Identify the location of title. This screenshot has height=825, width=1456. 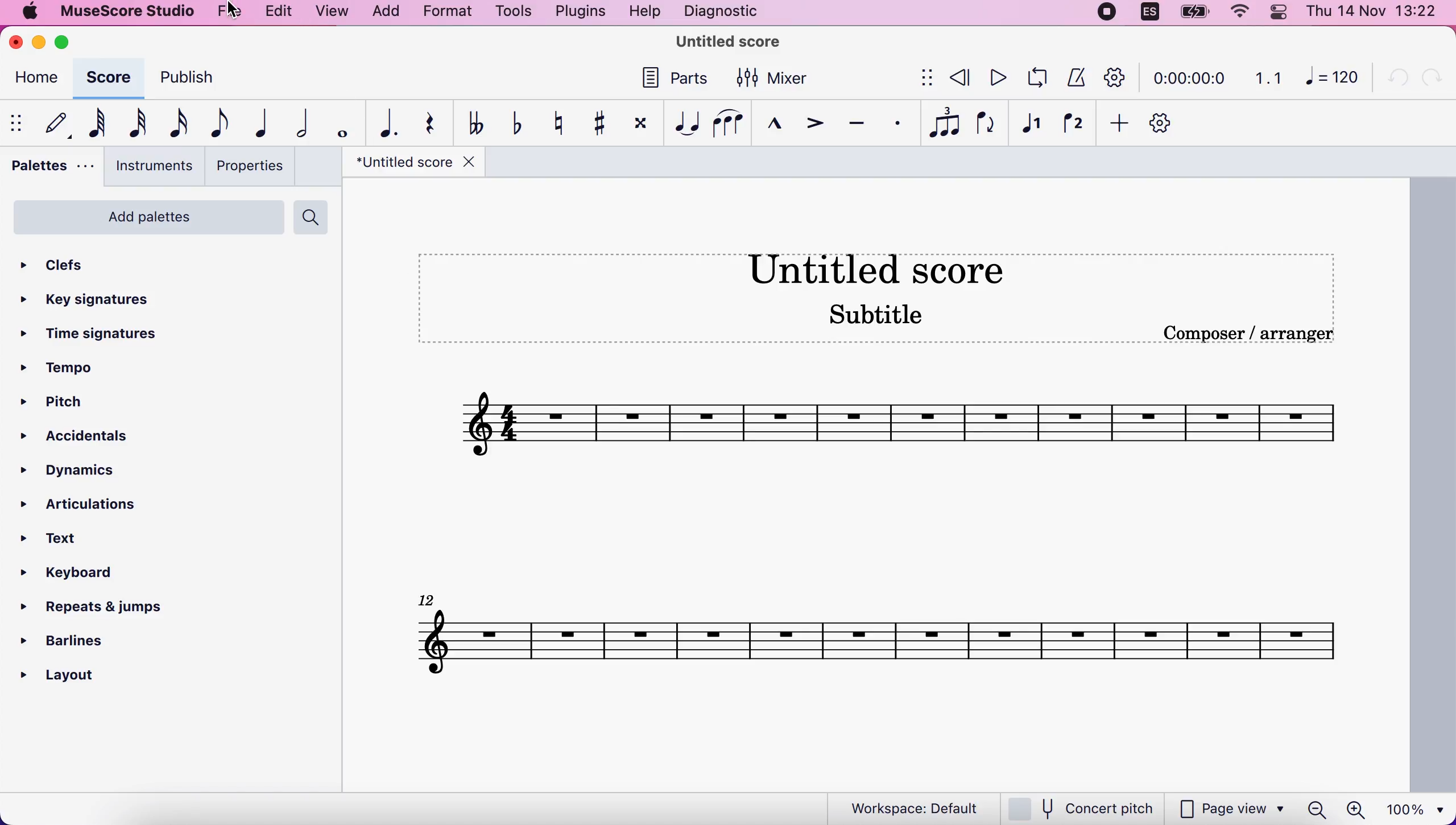
(414, 164).